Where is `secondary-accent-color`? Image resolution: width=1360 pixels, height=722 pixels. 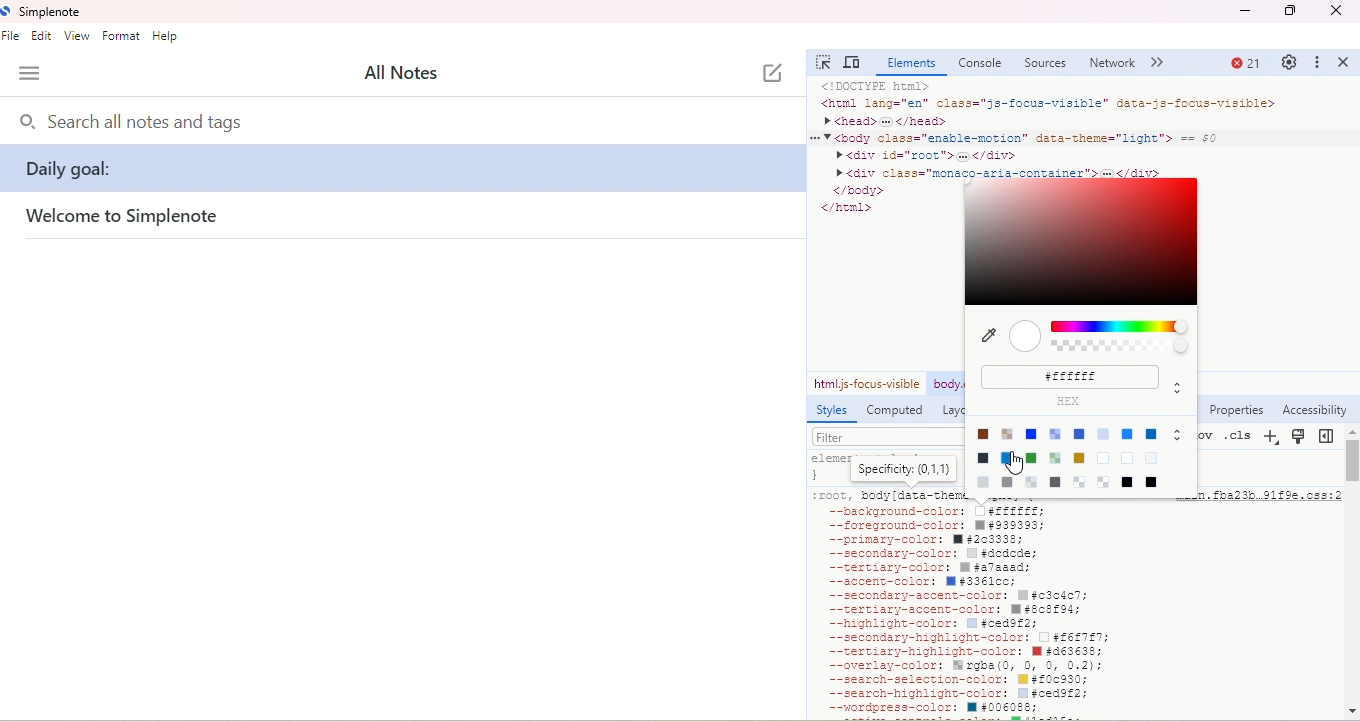 secondary-accent-color is located at coordinates (955, 597).